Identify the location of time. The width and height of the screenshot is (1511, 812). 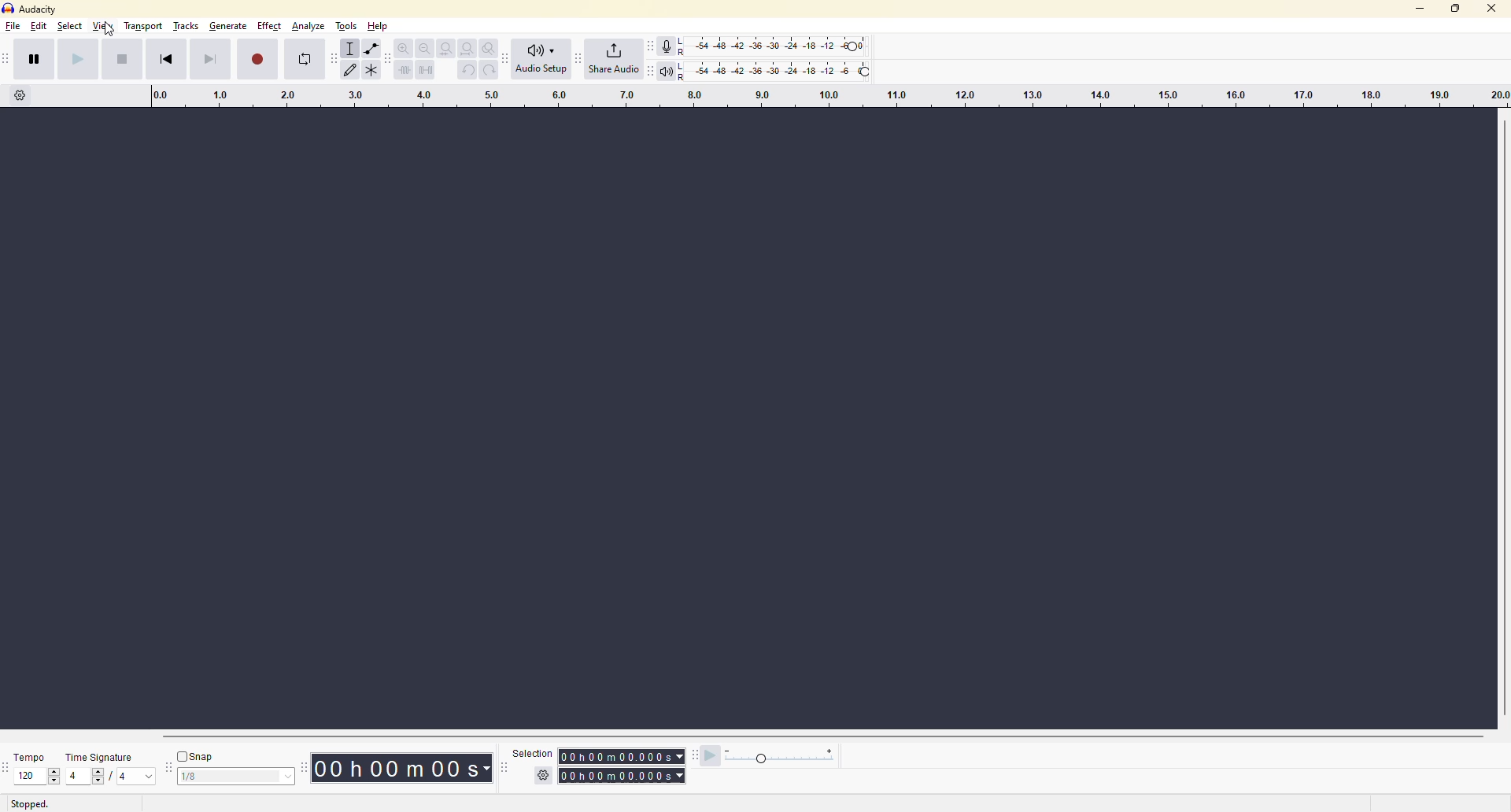
(399, 767).